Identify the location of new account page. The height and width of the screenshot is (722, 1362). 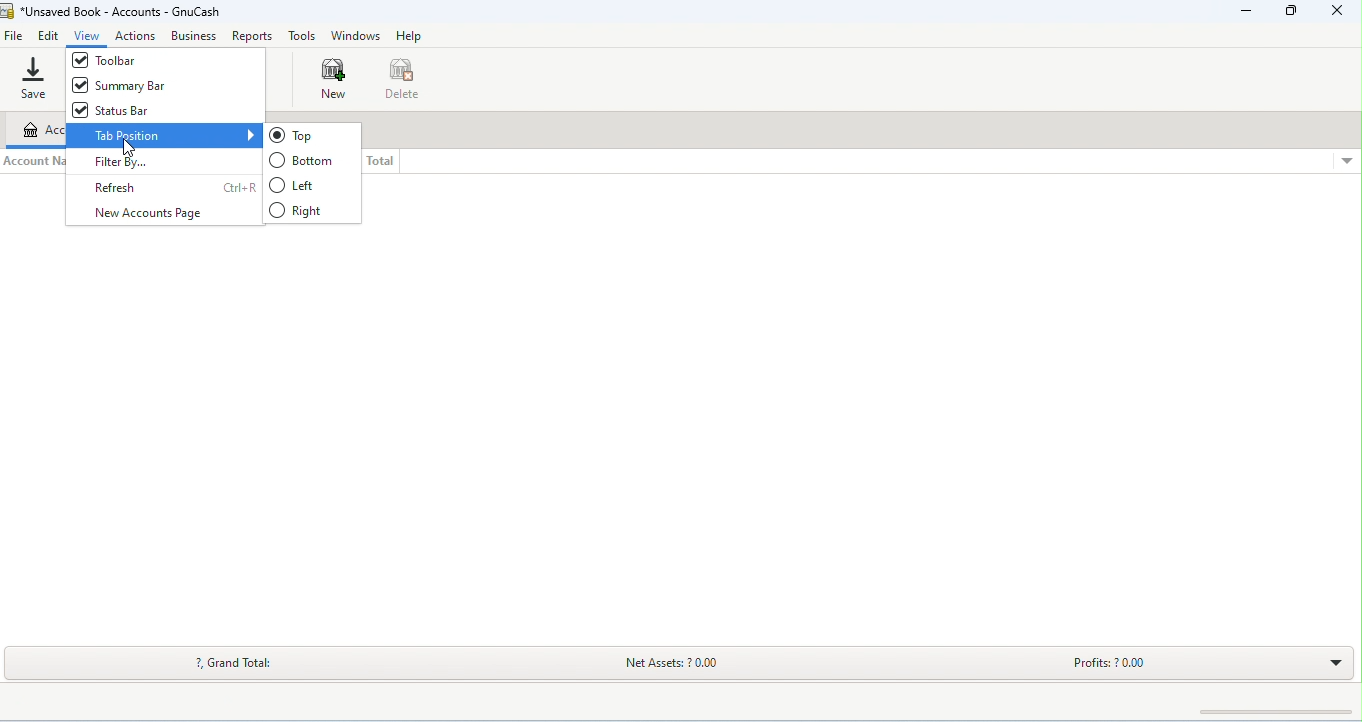
(157, 213).